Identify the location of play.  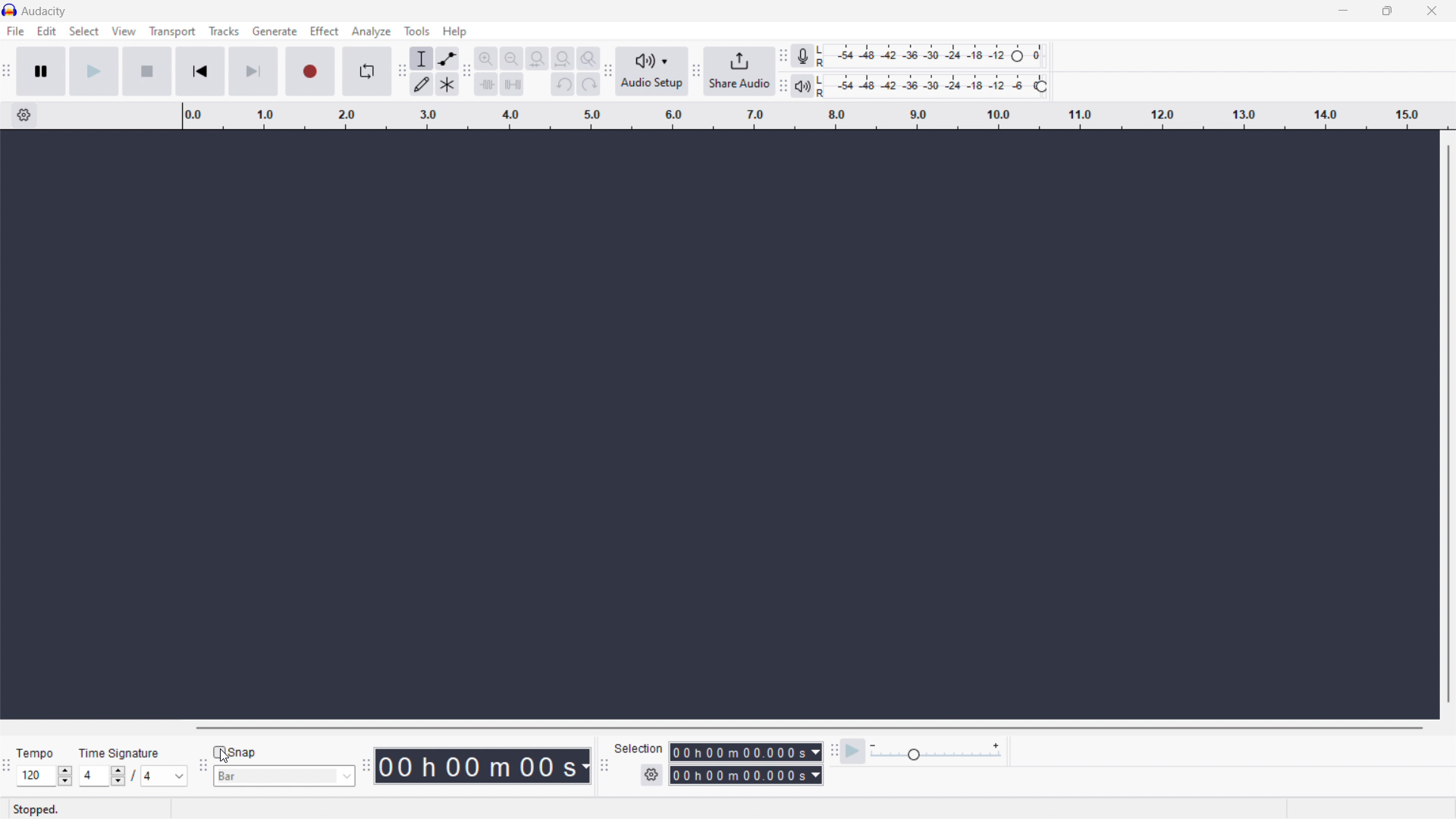
(93, 71).